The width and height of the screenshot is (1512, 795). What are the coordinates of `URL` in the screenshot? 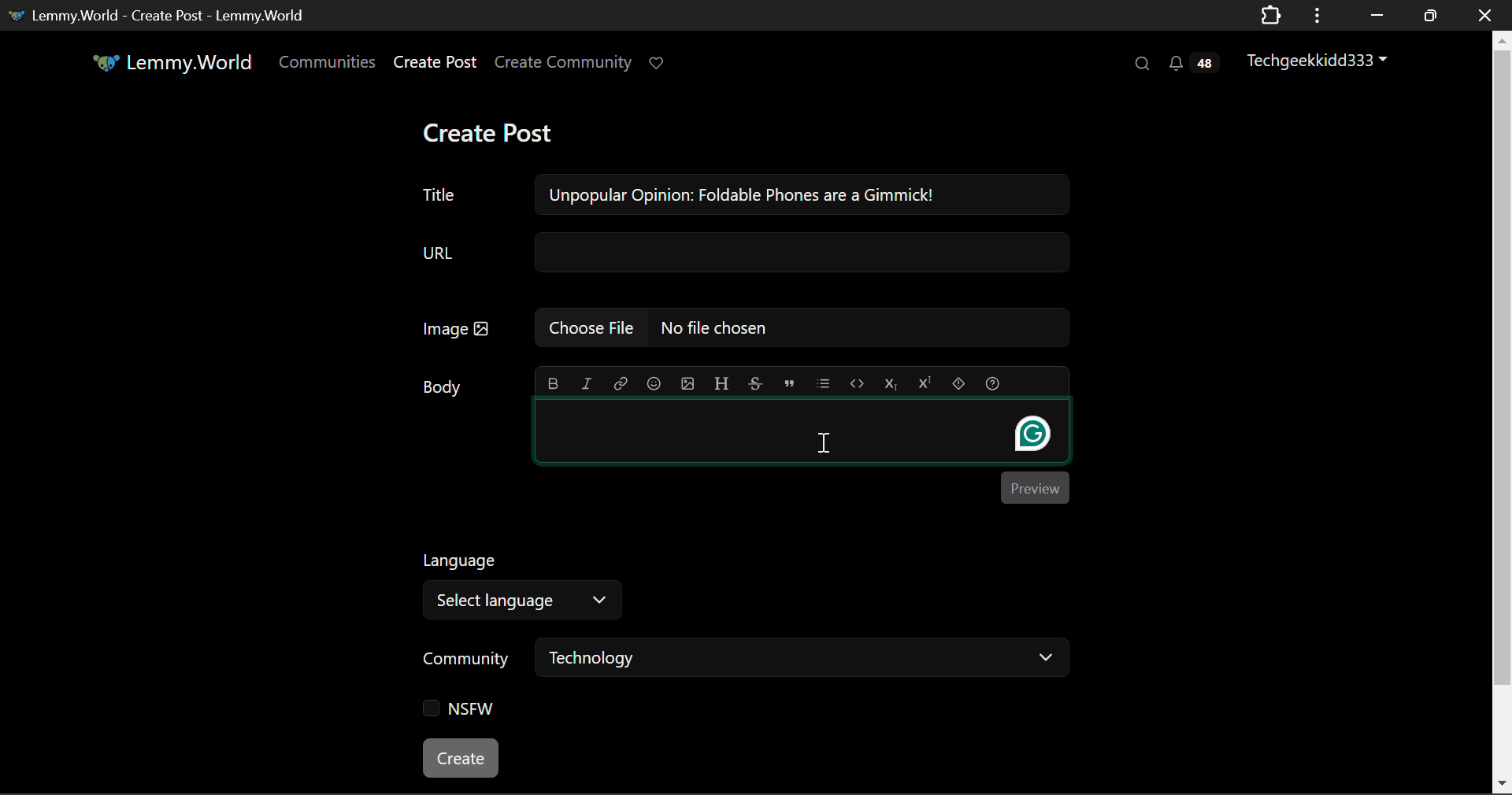 It's located at (743, 253).